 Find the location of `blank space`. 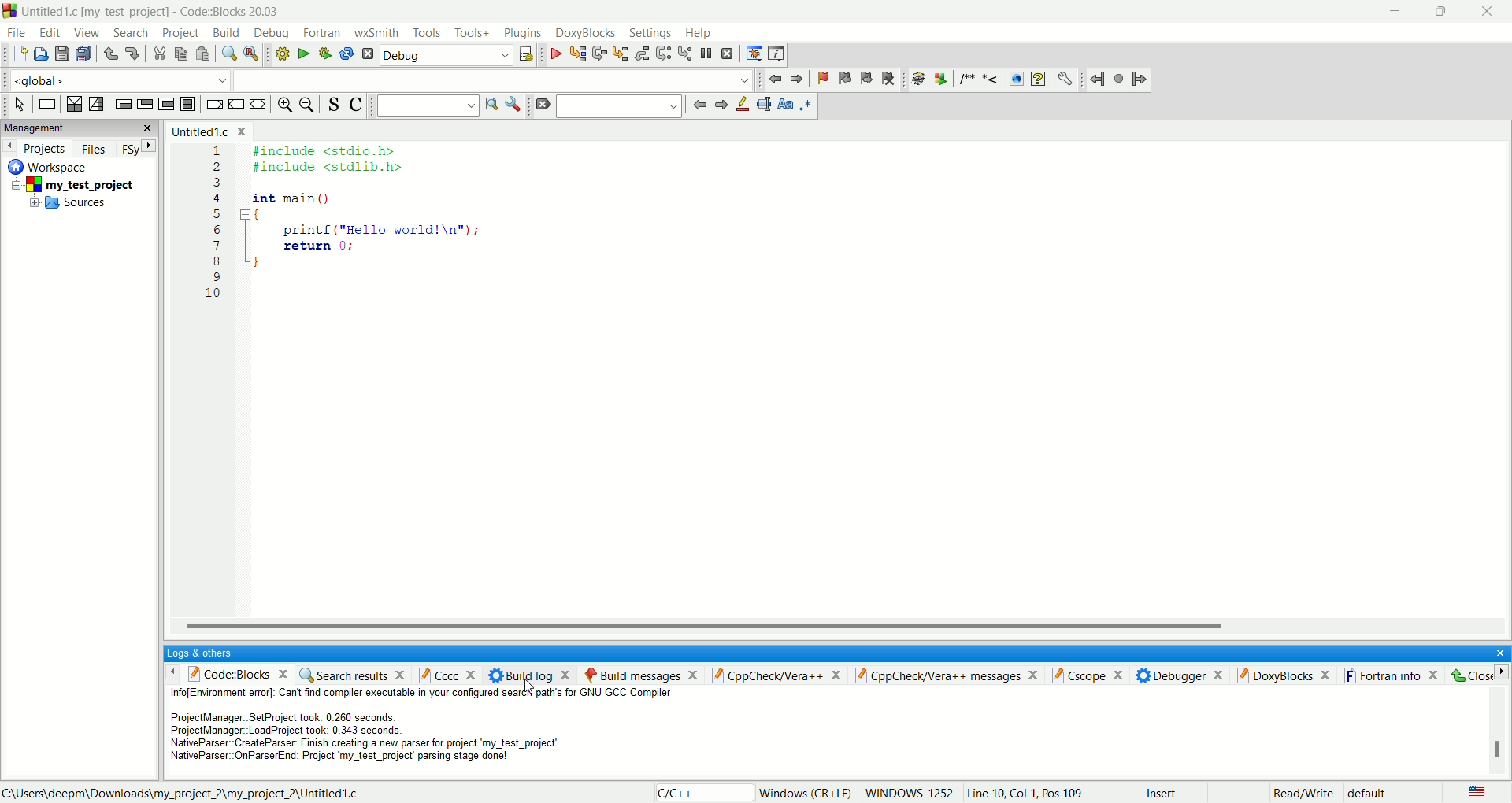

blank space is located at coordinates (495, 79).